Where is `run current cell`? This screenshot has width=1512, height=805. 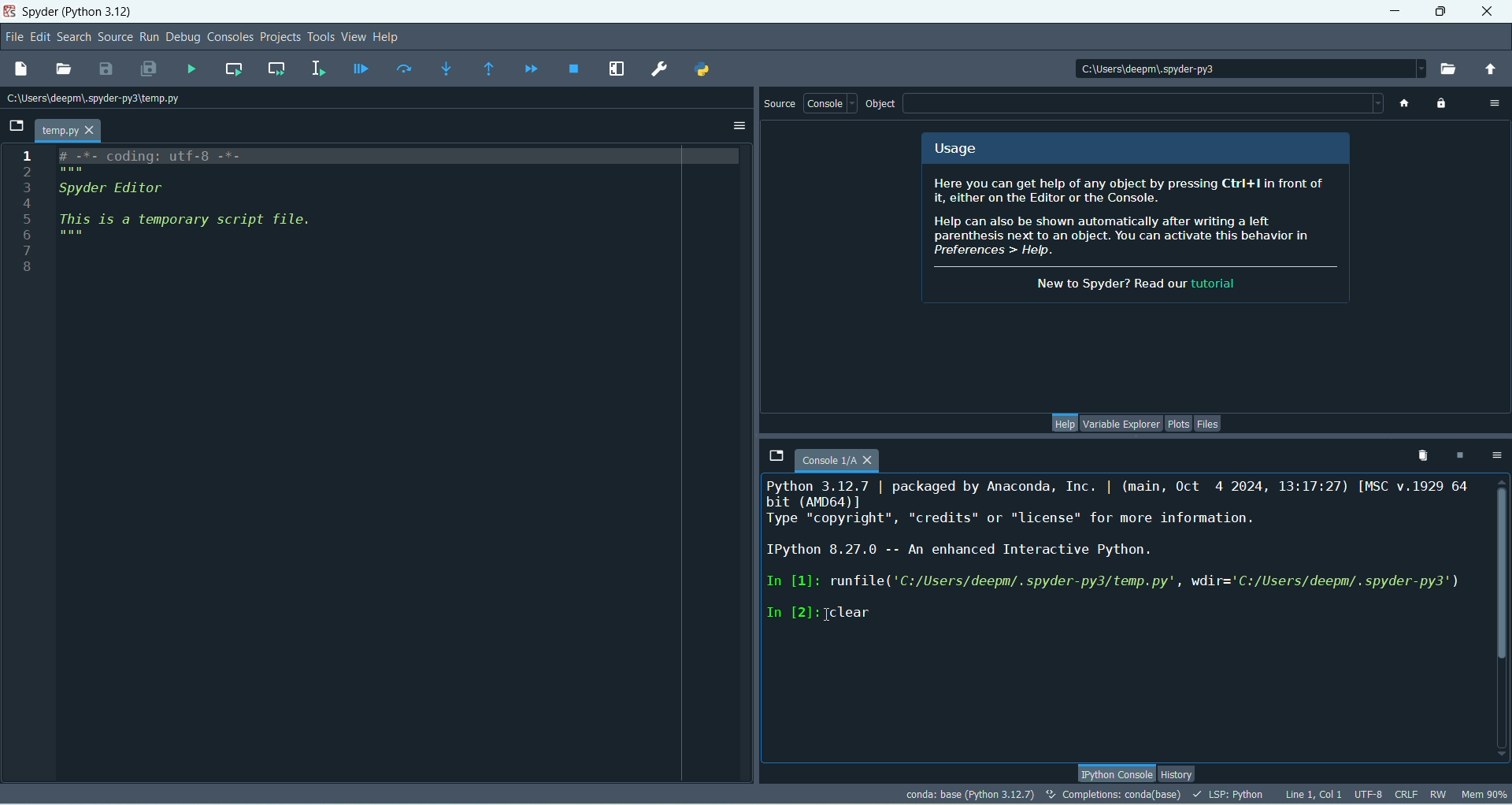 run current cell is located at coordinates (233, 70).